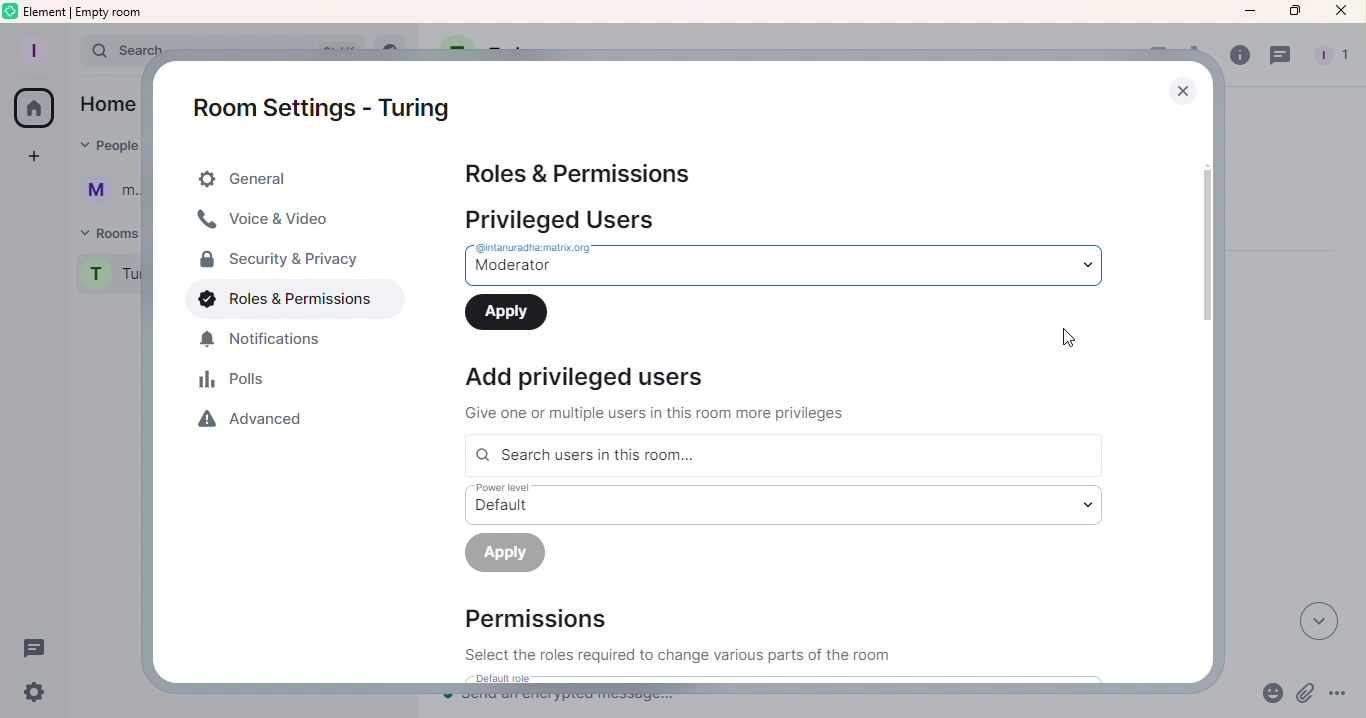 This screenshot has width=1366, height=718. Describe the element at coordinates (1336, 696) in the screenshot. I see `More options` at that location.